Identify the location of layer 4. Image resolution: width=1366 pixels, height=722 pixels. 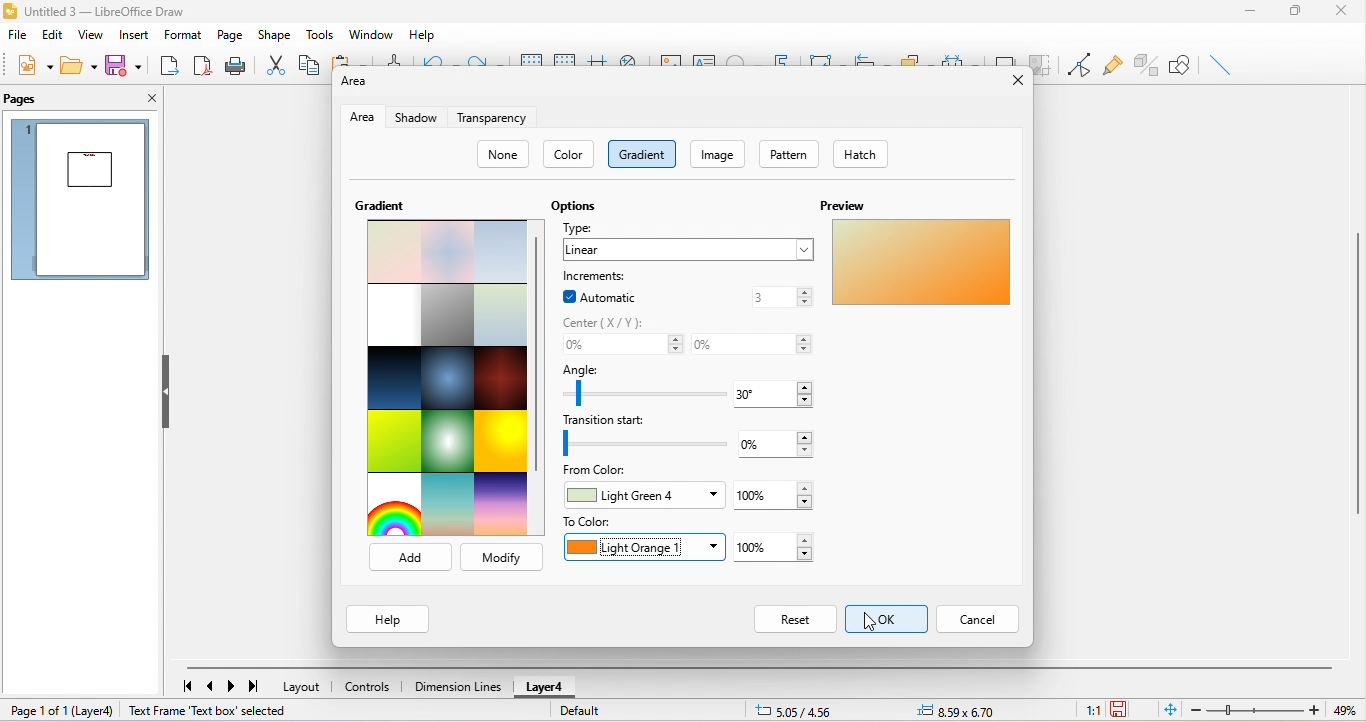
(97, 711).